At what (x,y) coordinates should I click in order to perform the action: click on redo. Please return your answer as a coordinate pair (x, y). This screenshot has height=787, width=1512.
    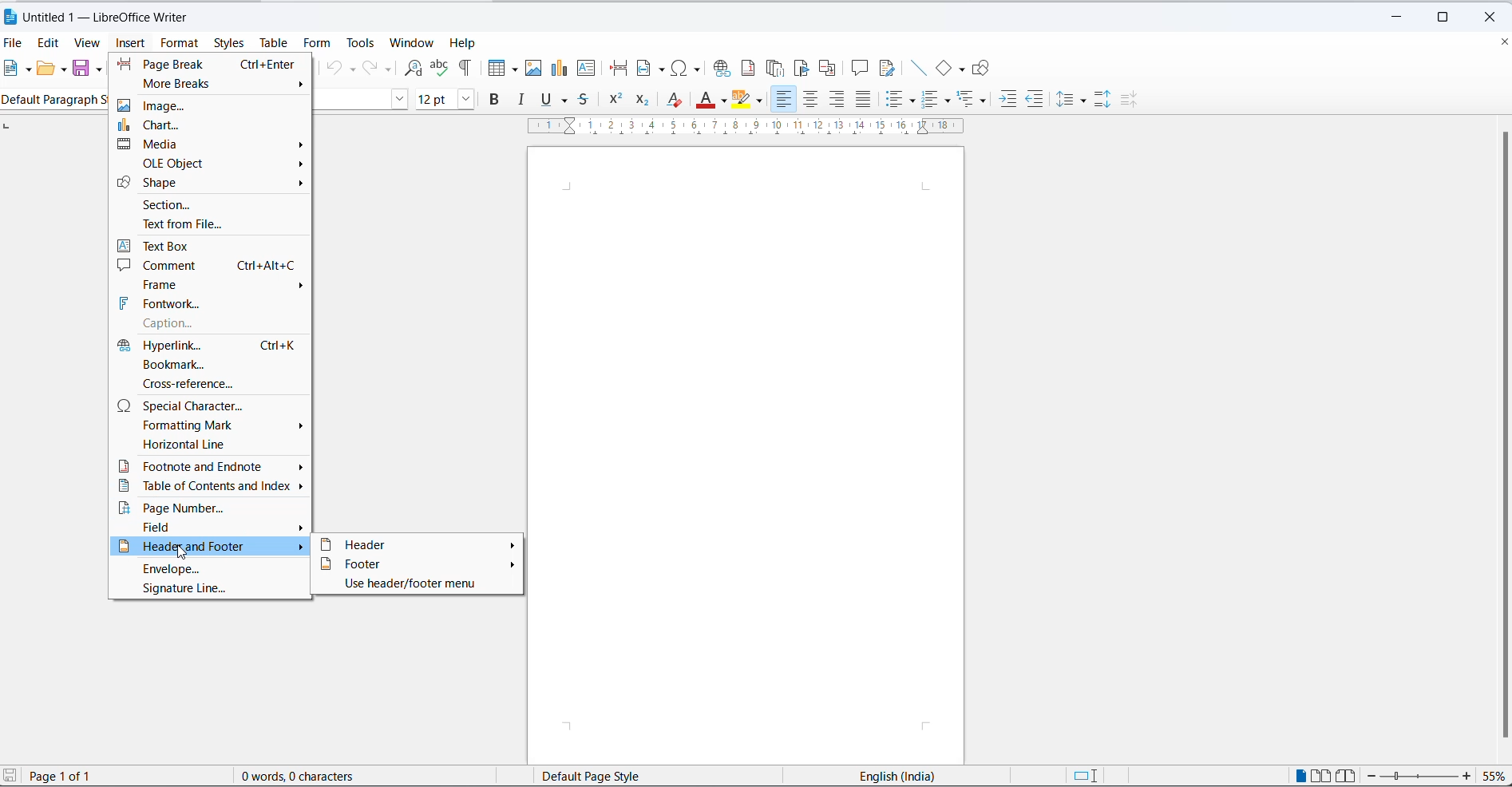
    Looking at the image, I should click on (369, 69).